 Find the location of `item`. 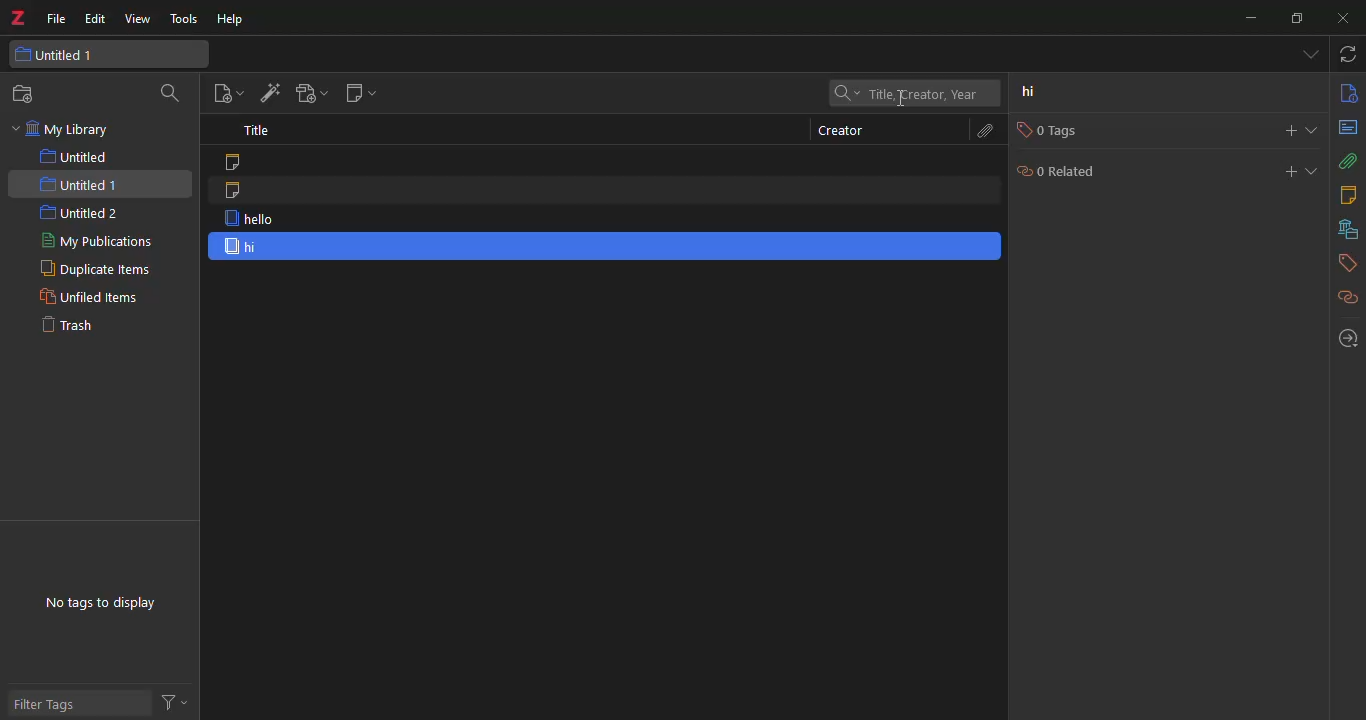

item is located at coordinates (249, 220).